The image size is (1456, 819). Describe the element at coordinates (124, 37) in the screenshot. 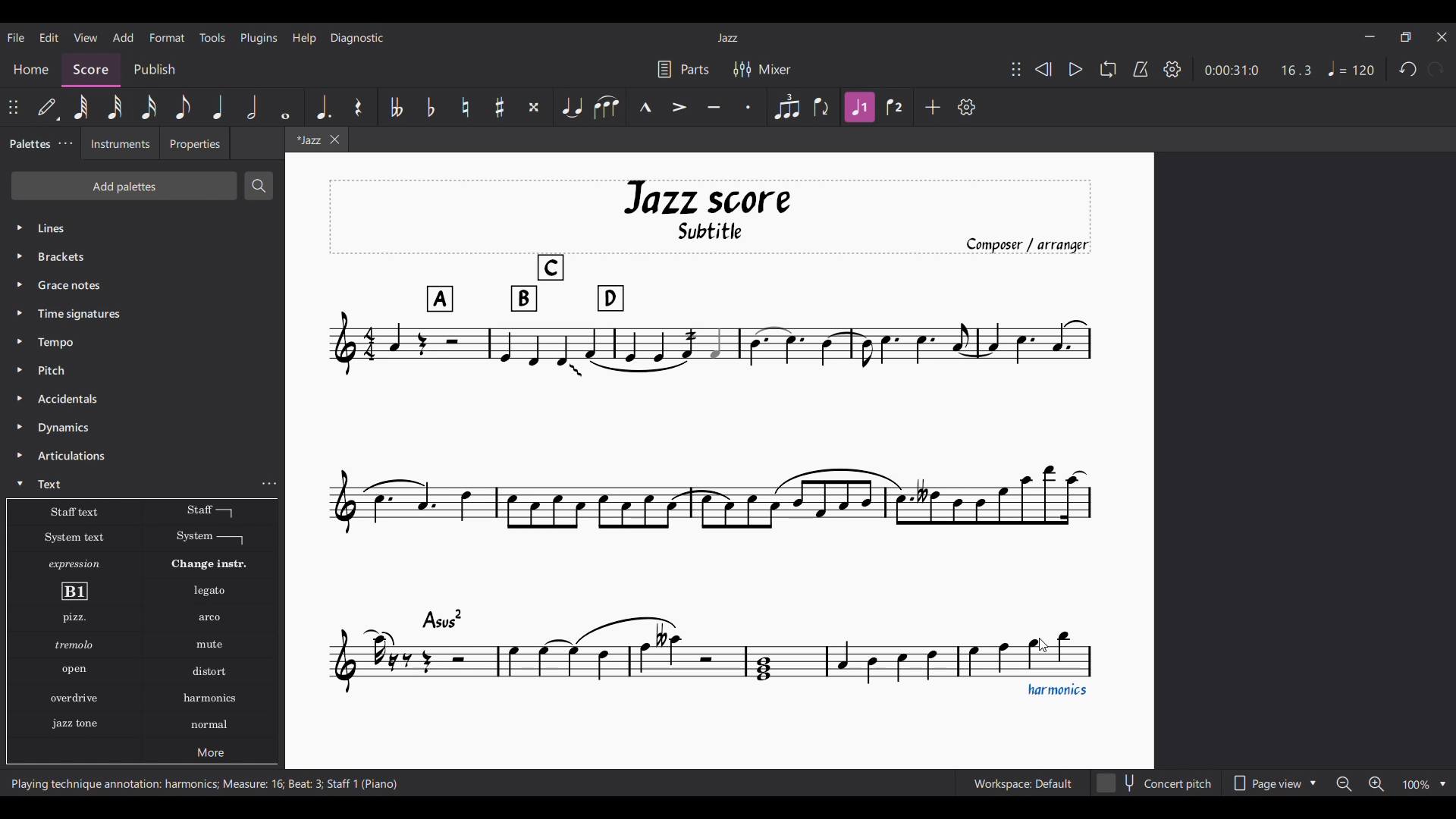

I see `Add menu` at that location.